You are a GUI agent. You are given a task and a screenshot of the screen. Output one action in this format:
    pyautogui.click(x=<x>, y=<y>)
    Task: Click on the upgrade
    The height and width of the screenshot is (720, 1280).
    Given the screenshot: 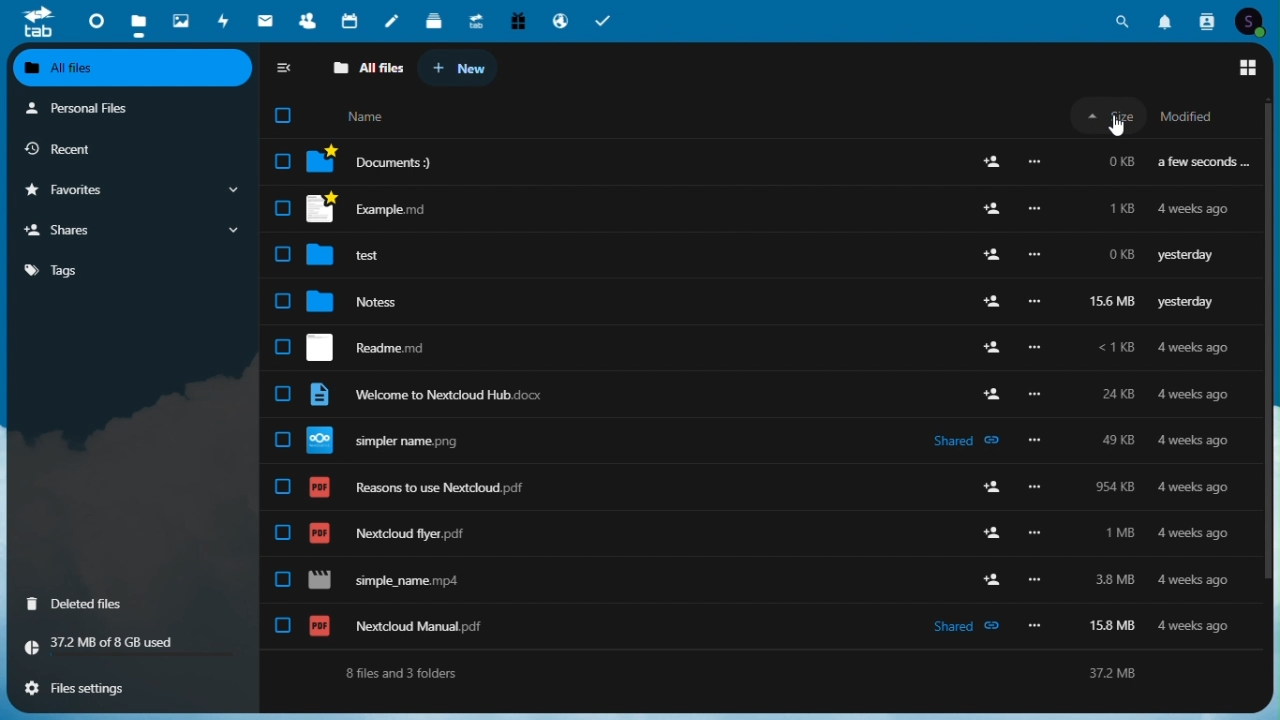 What is the action you would take?
    pyautogui.click(x=477, y=18)
    